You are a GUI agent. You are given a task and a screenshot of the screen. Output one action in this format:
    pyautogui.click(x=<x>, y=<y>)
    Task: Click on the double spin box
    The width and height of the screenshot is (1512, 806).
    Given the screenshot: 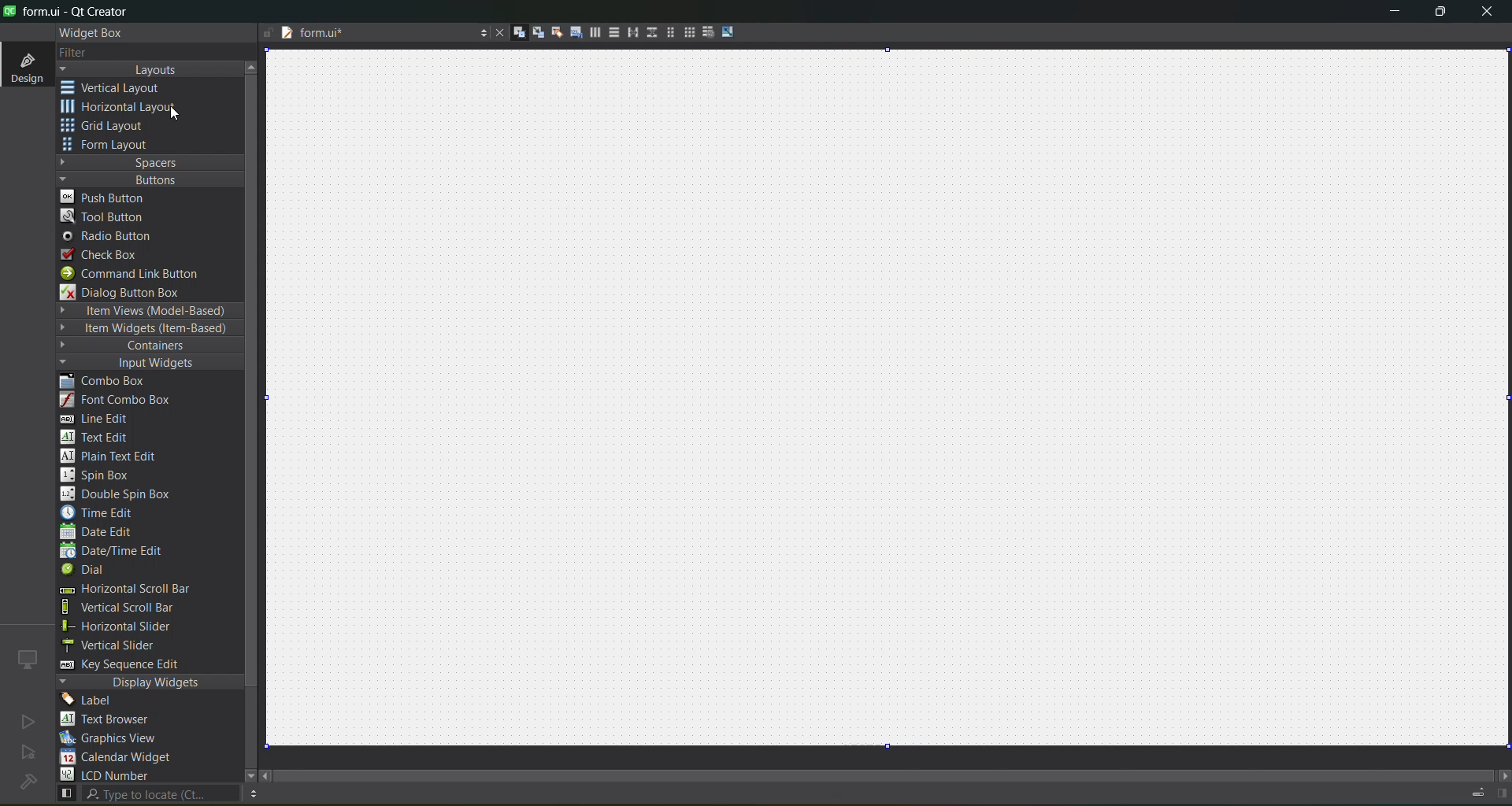 What is the action you would take?
    pyautogui.click(x=127, y=494)
    